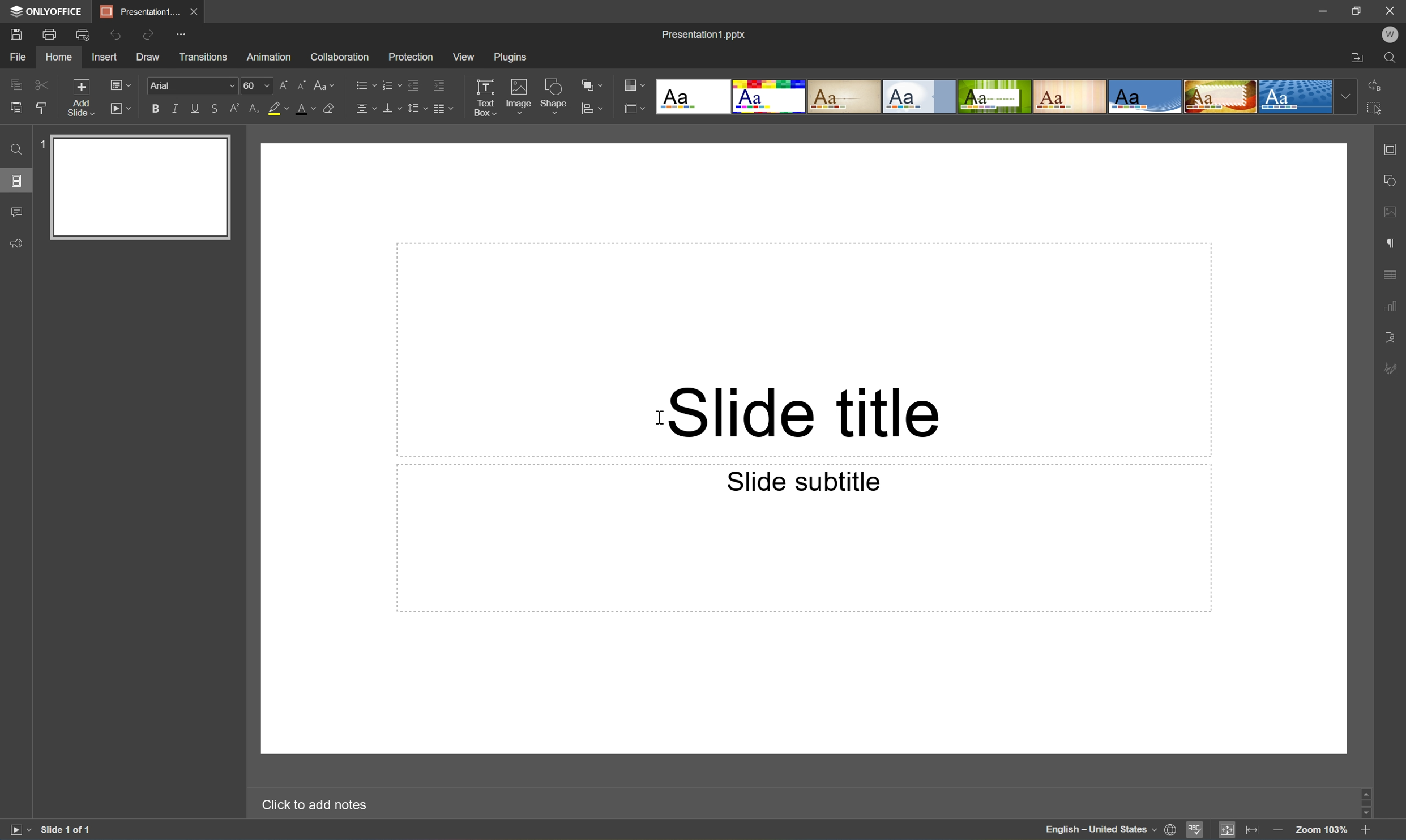 The height and width of the screenshot is (840, 1406). Describe the element at coordinates (237, 108) in the screenshot. I see `Superscript` at that location.